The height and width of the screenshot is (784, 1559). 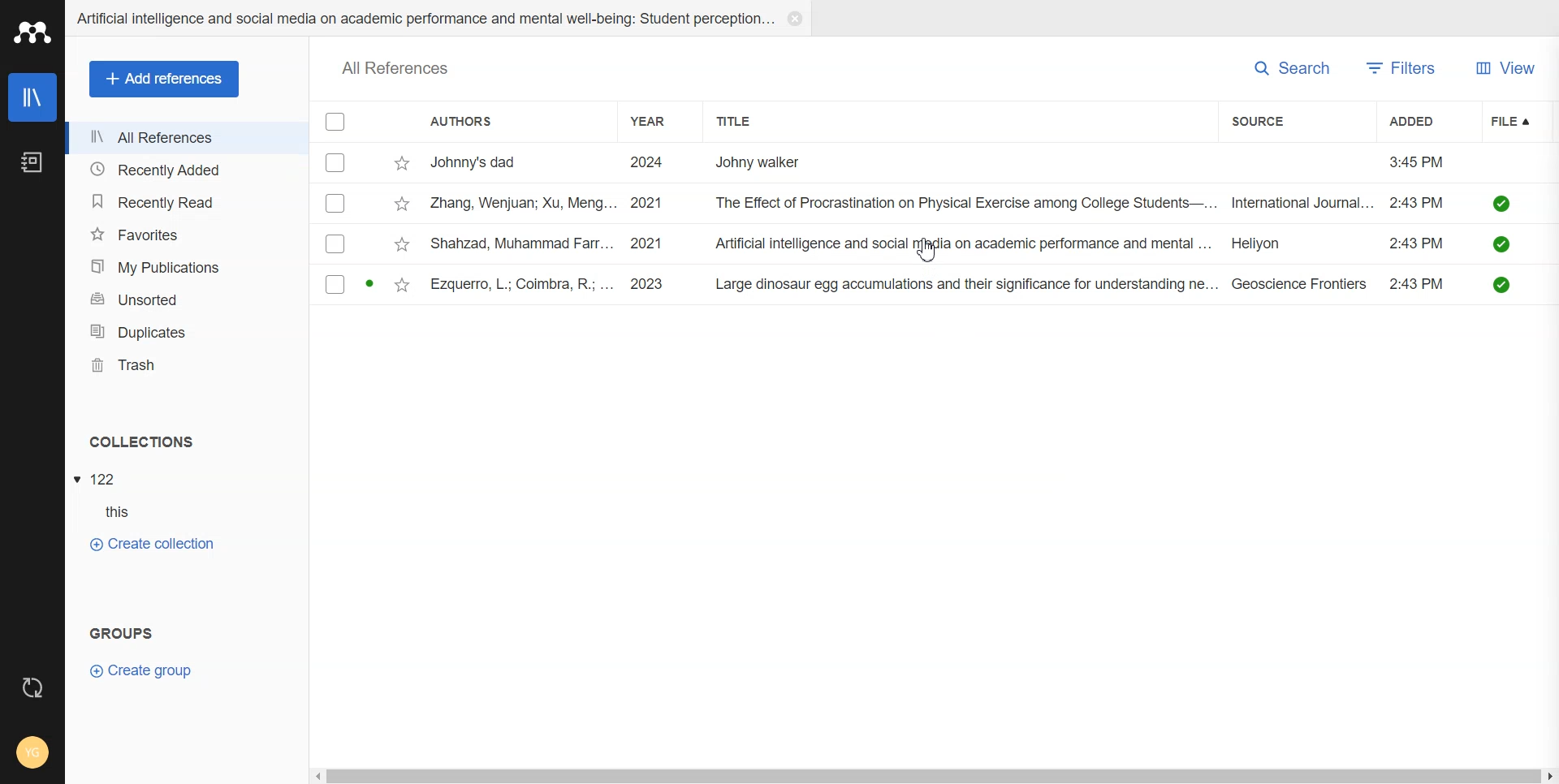 What do you see at coordinates (338, 162) in the screenshot?
I see `Checkbox` at bounding box center [338, 162].